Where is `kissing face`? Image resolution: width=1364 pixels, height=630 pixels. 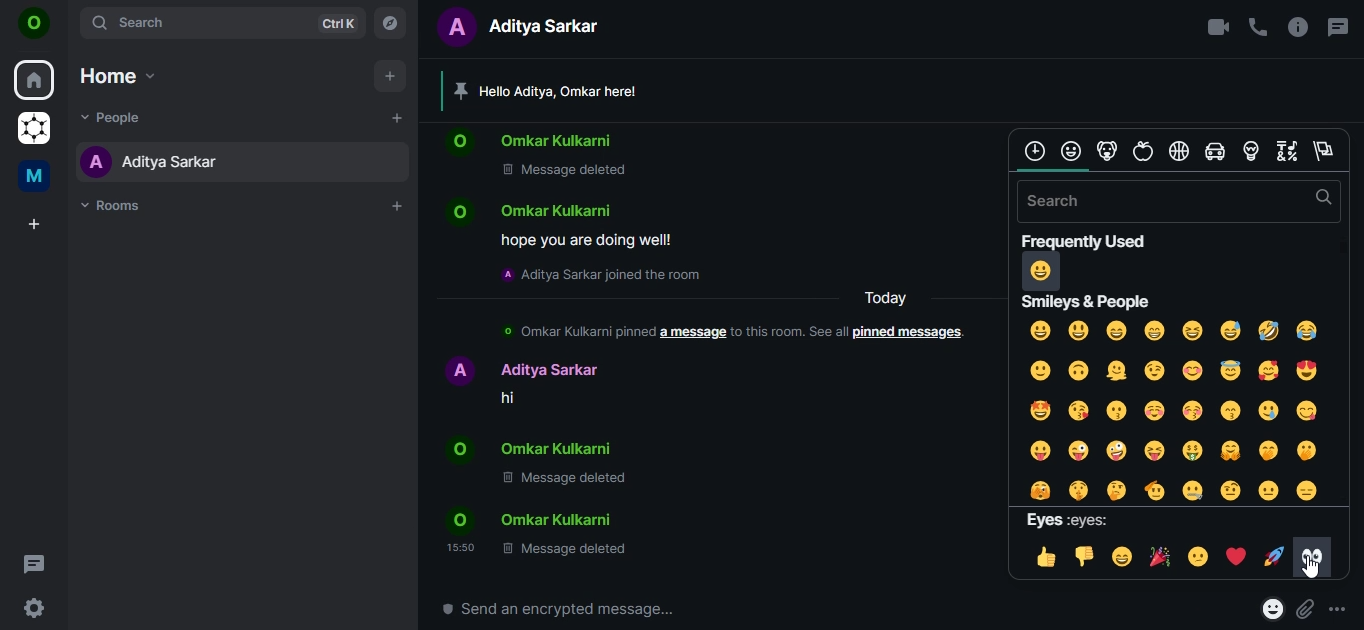 kissing face is located at coordinates (1118, 409).